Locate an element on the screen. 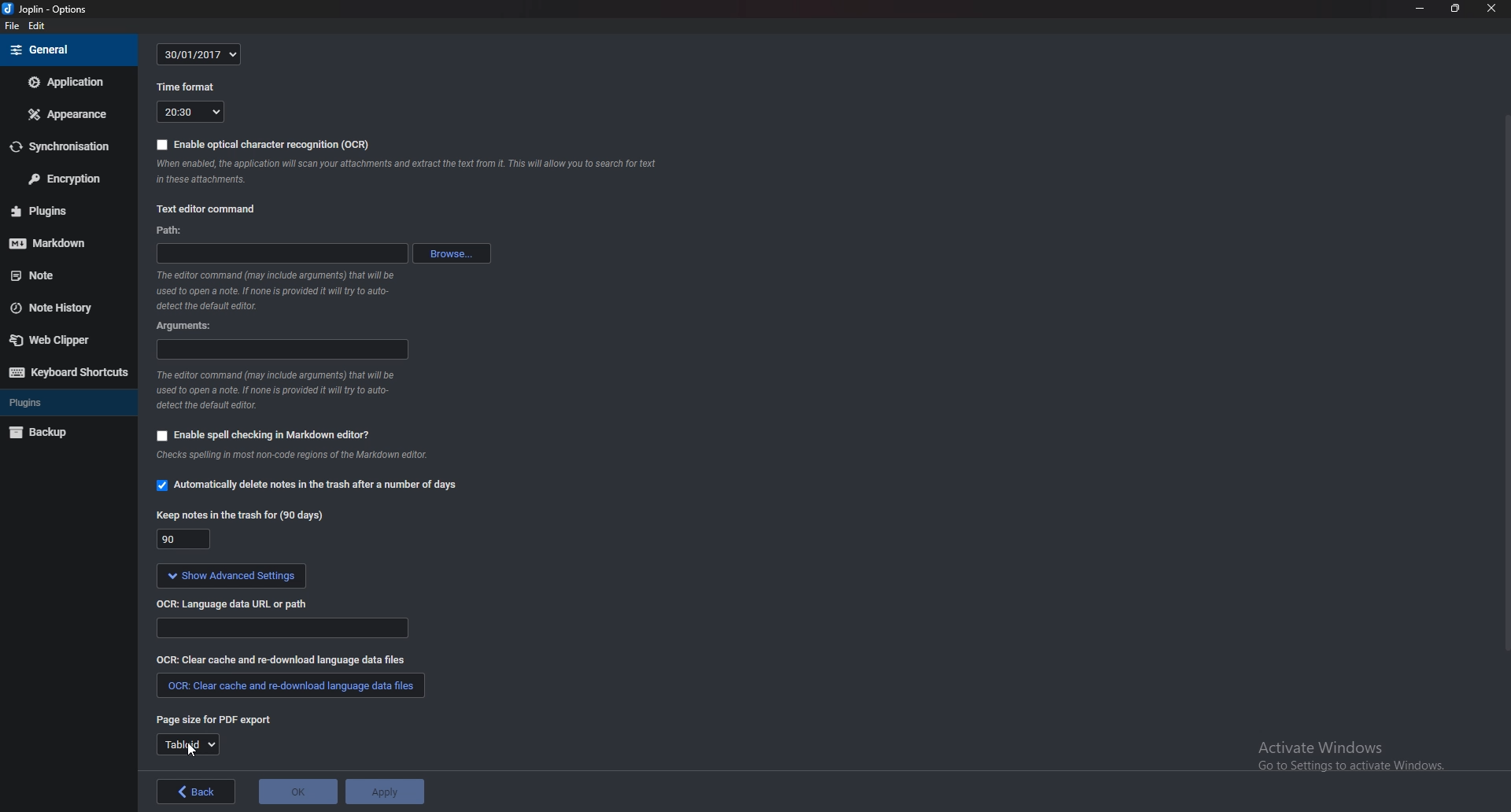  text editor command is located at coordinates (205, 206).